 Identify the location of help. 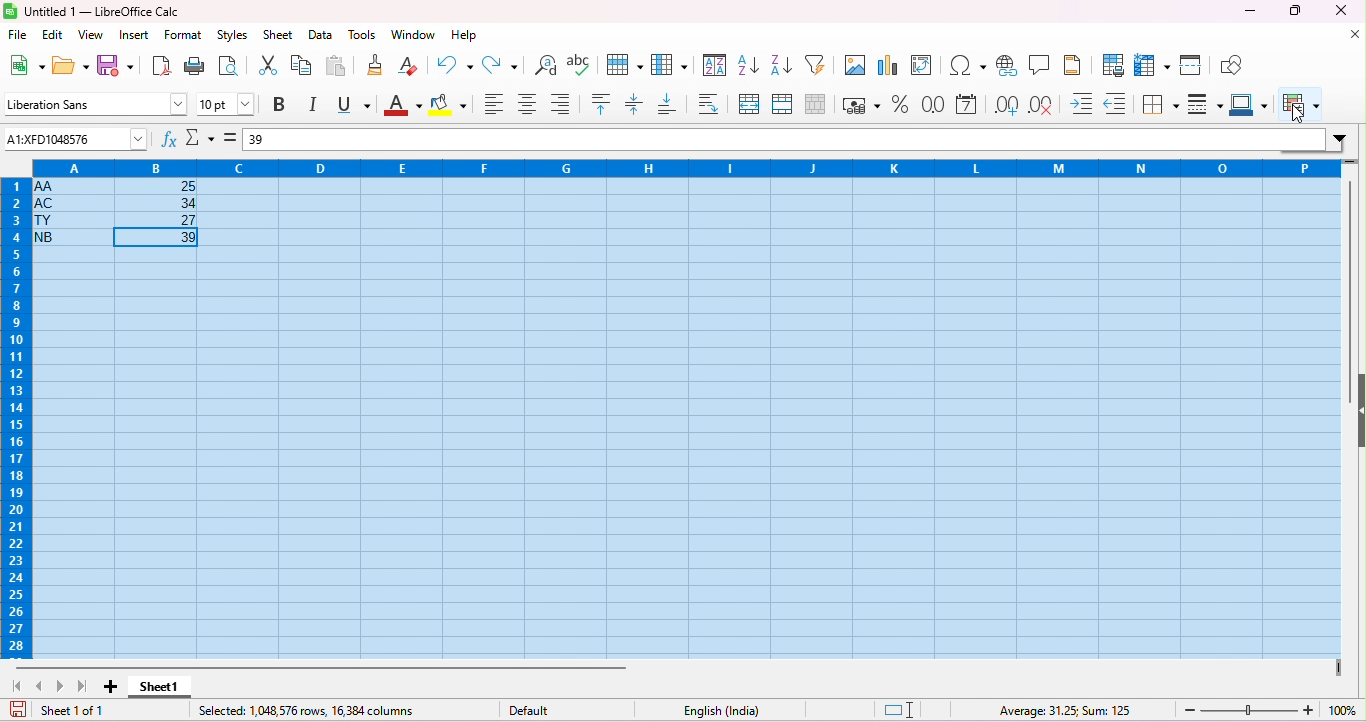
(464, 35).